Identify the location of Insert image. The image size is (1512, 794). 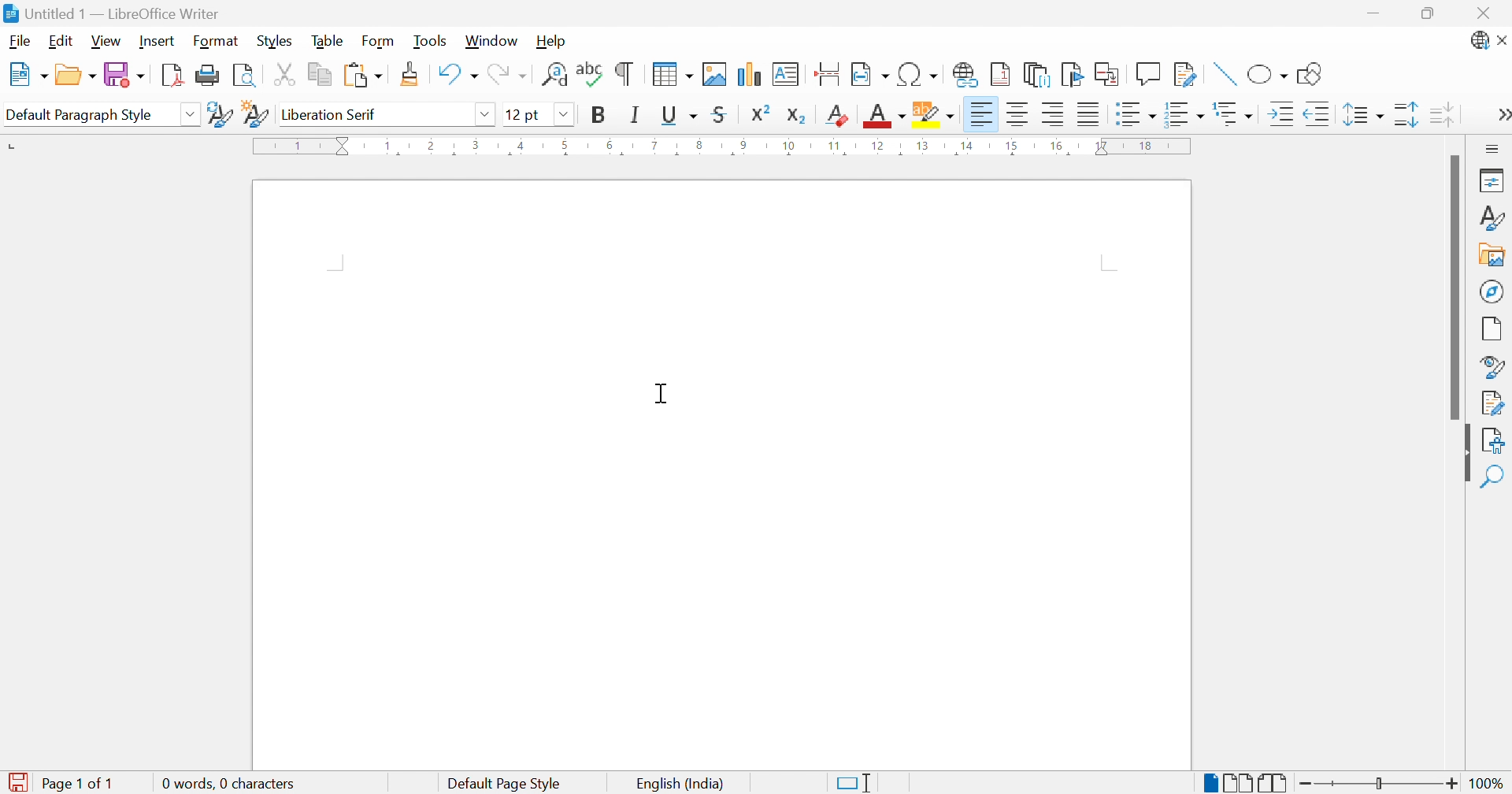
(1493, 257).